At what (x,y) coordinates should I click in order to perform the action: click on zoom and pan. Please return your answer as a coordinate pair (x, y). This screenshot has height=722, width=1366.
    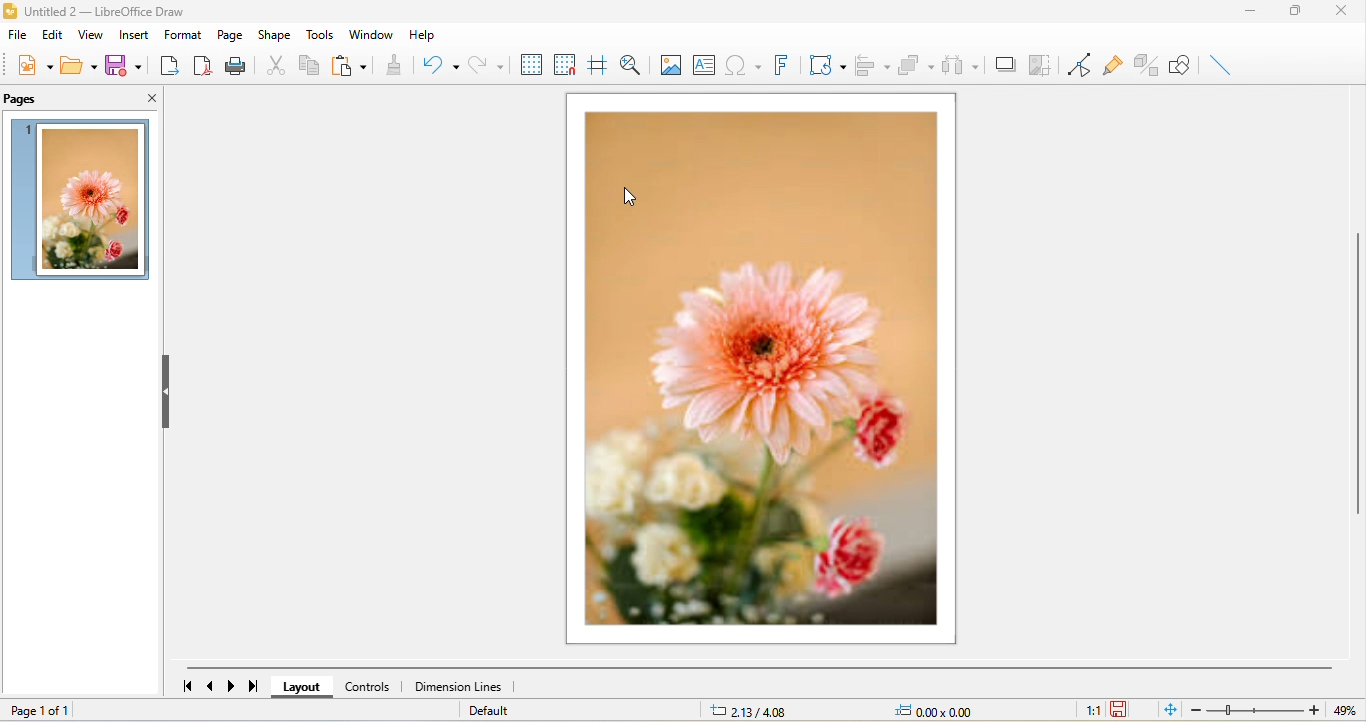
    Looking at the image, I should click on (631, 65).